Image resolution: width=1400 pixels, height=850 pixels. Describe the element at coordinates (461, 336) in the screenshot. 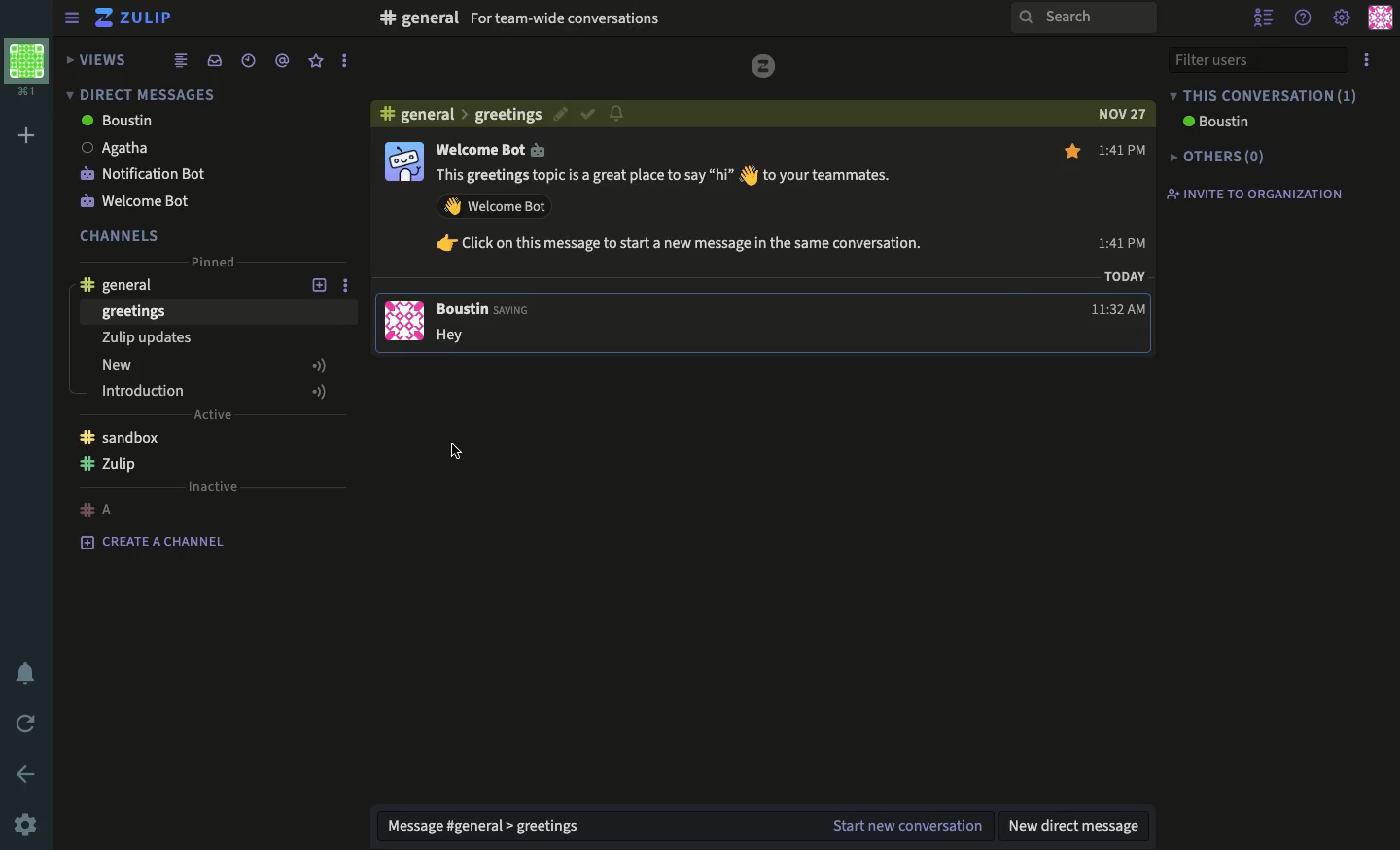

I see `Hello` at that location.